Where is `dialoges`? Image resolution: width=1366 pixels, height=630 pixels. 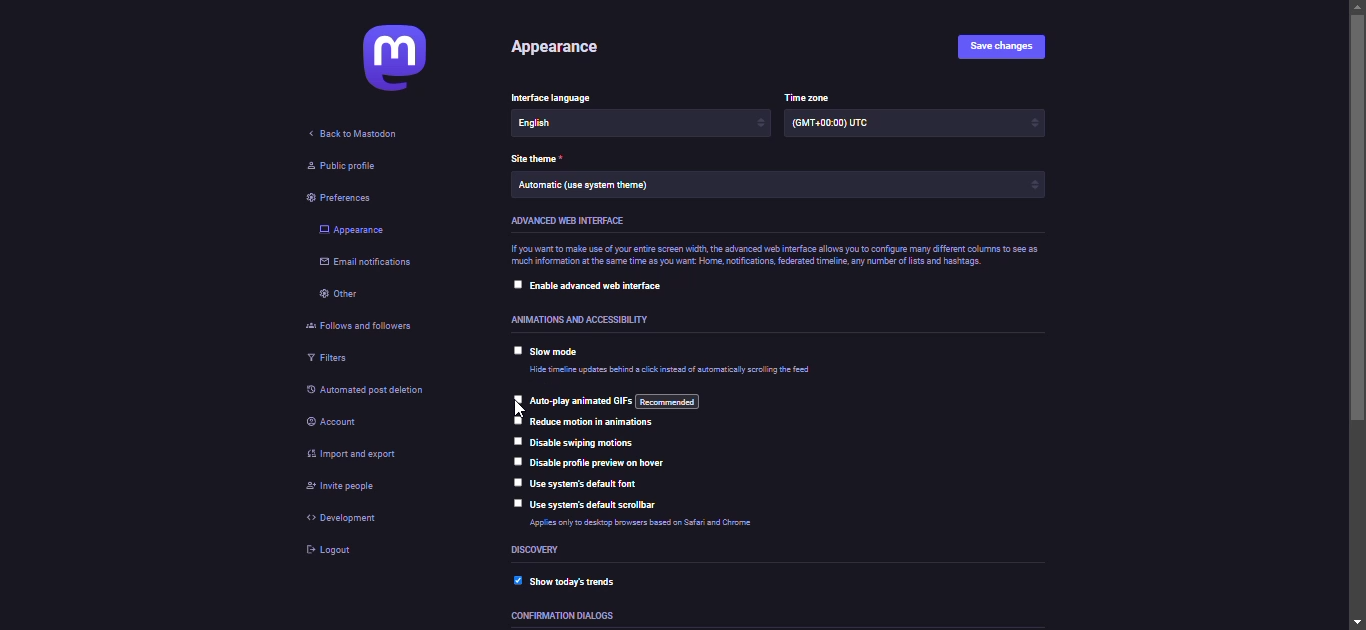
dialoges is located at coordinates (564, 617).